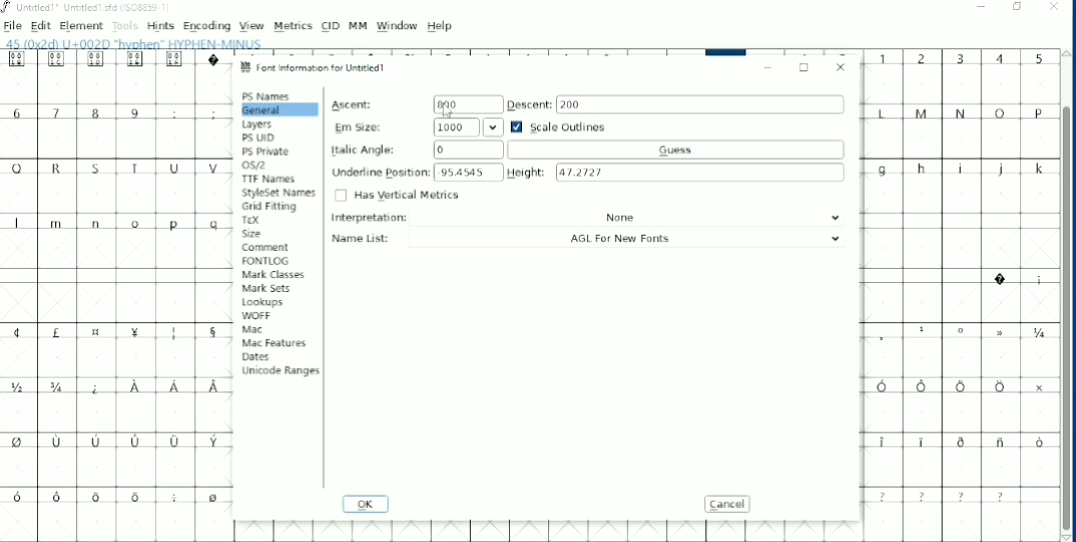  What do you see at coordinates (1065, 321) in the screenshot?
I see `Vertical scrollbar` at bounding box center [1065, 321].